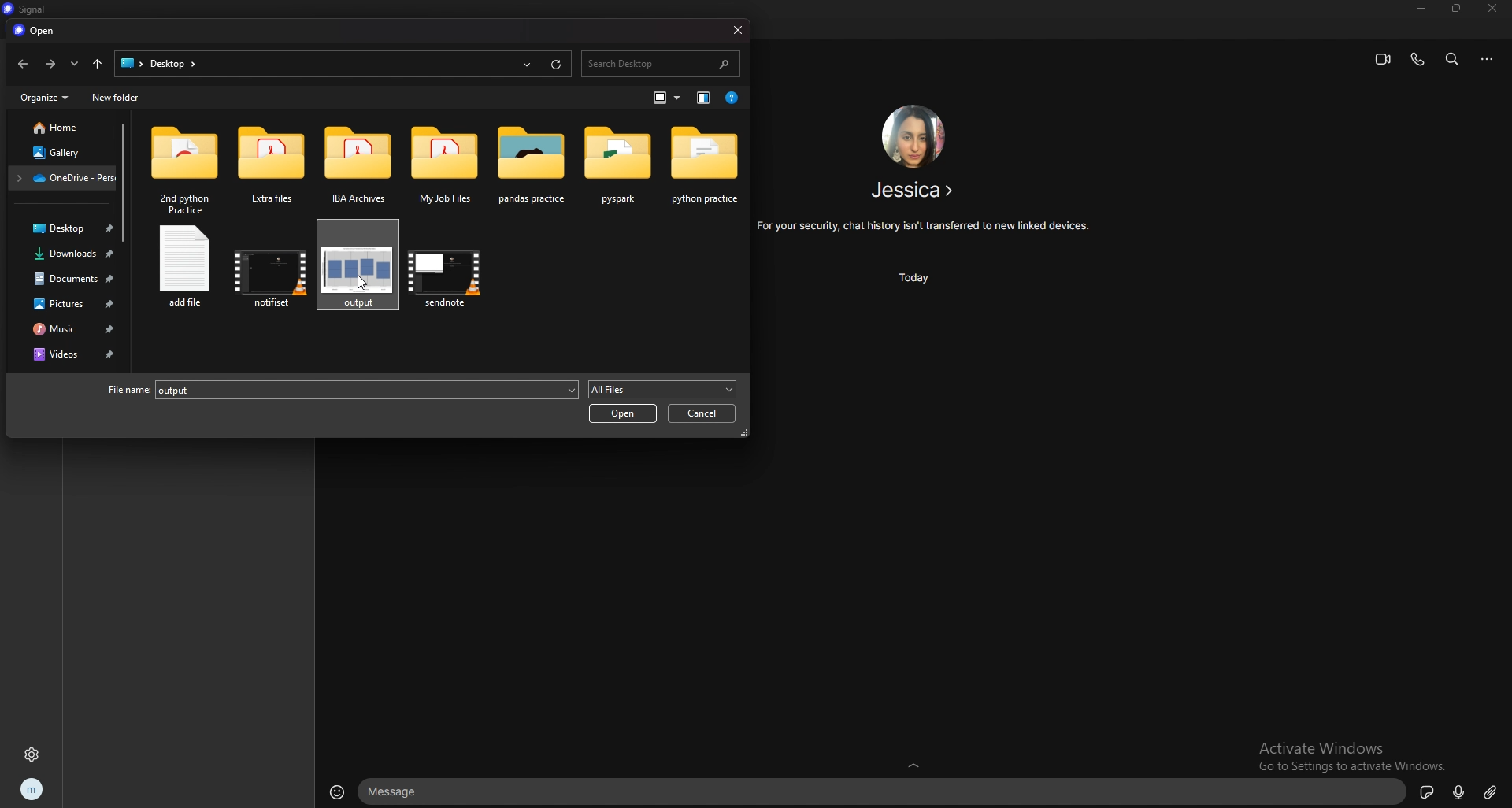 The width and height of the screenshot is (1512, 808). I want to click on gallery, so click(62, 152).